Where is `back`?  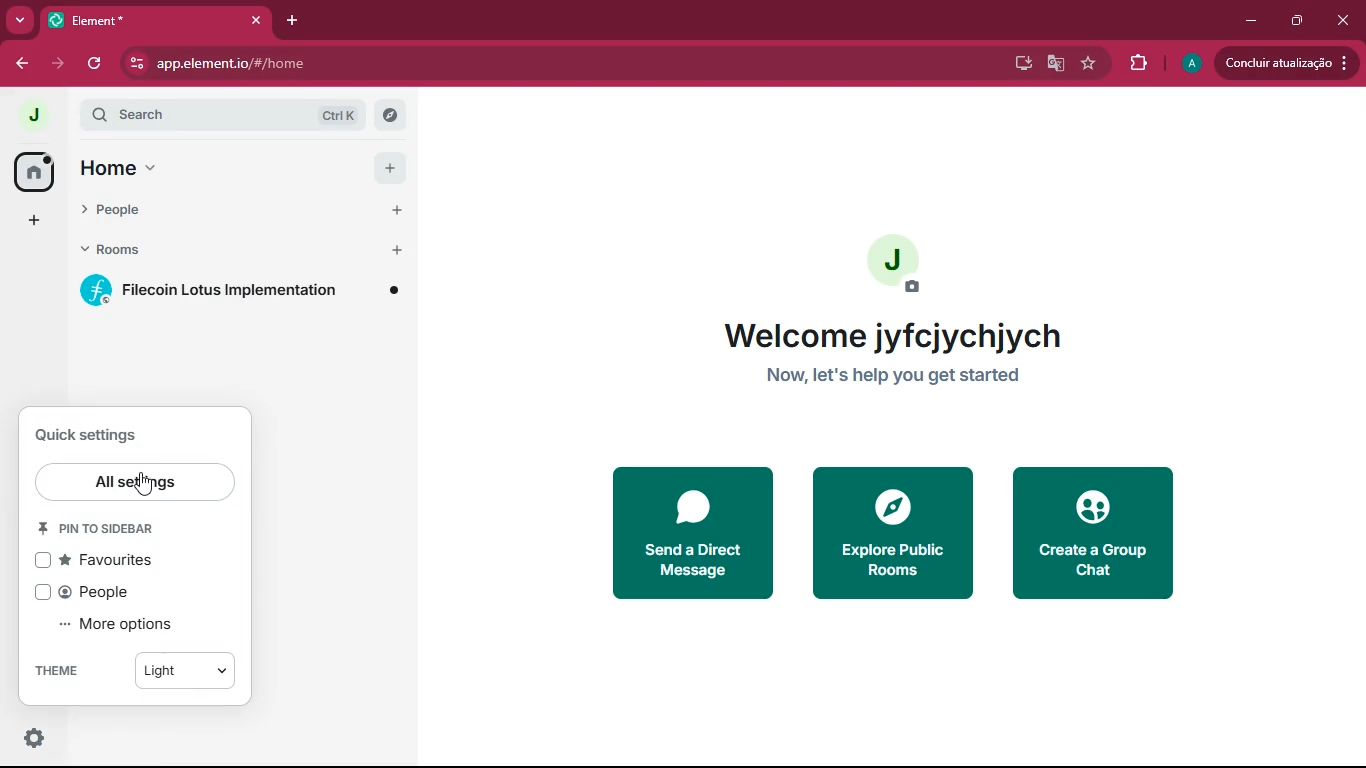
back is located at coordinates (16, 65).